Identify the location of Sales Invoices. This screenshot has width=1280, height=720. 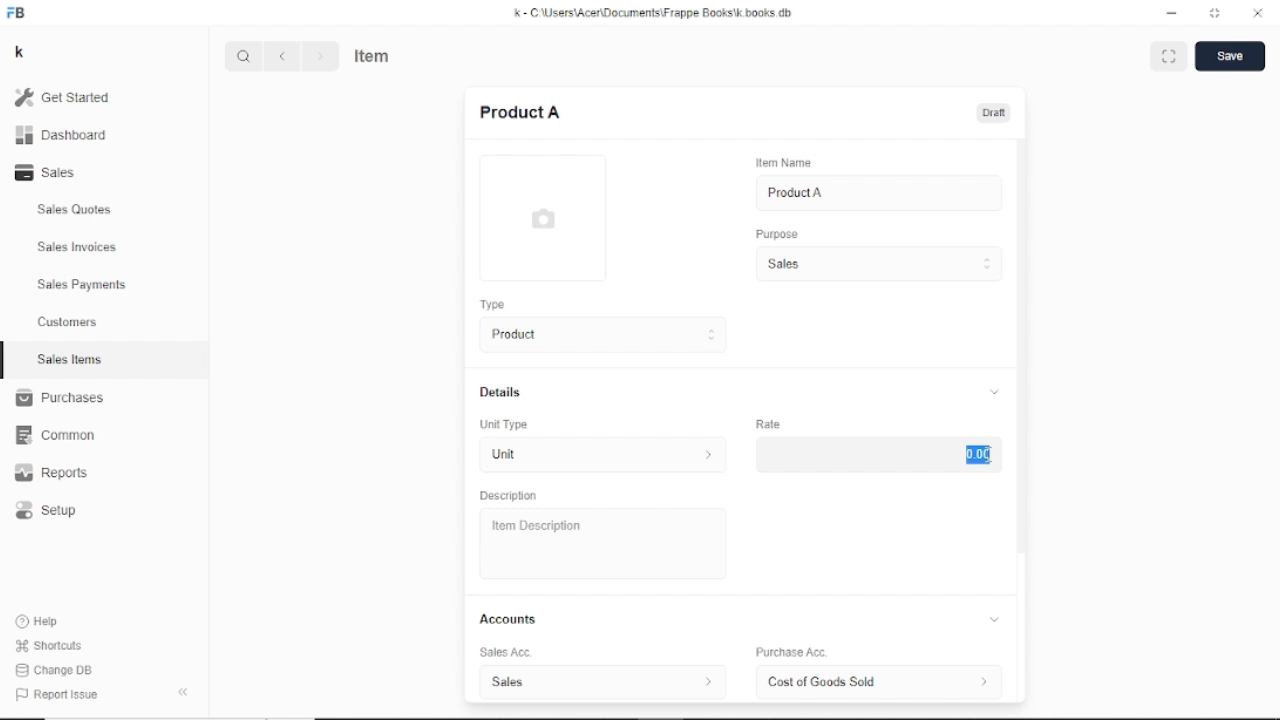
(77, 248).